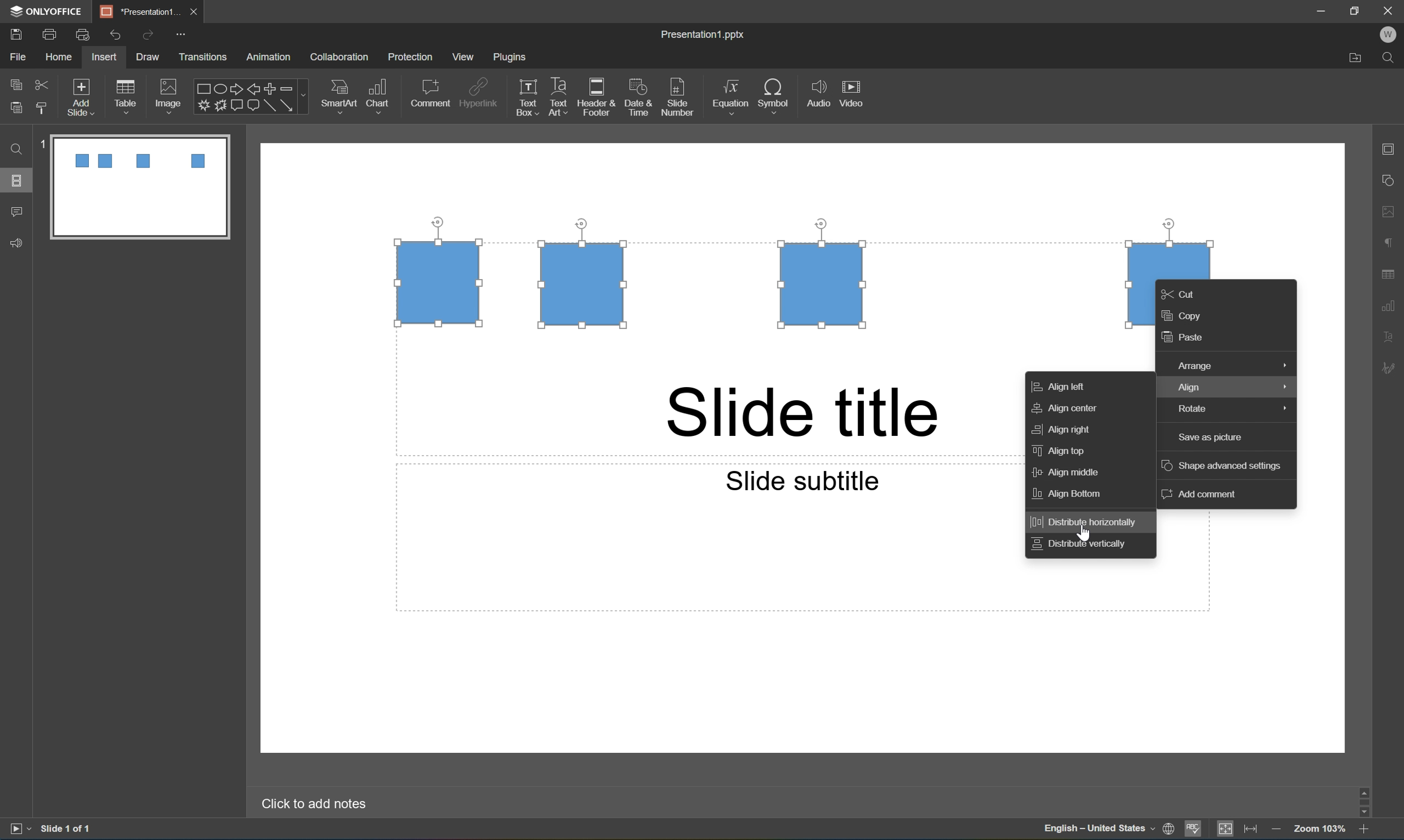  I want to click on animation, so click(273, 57).